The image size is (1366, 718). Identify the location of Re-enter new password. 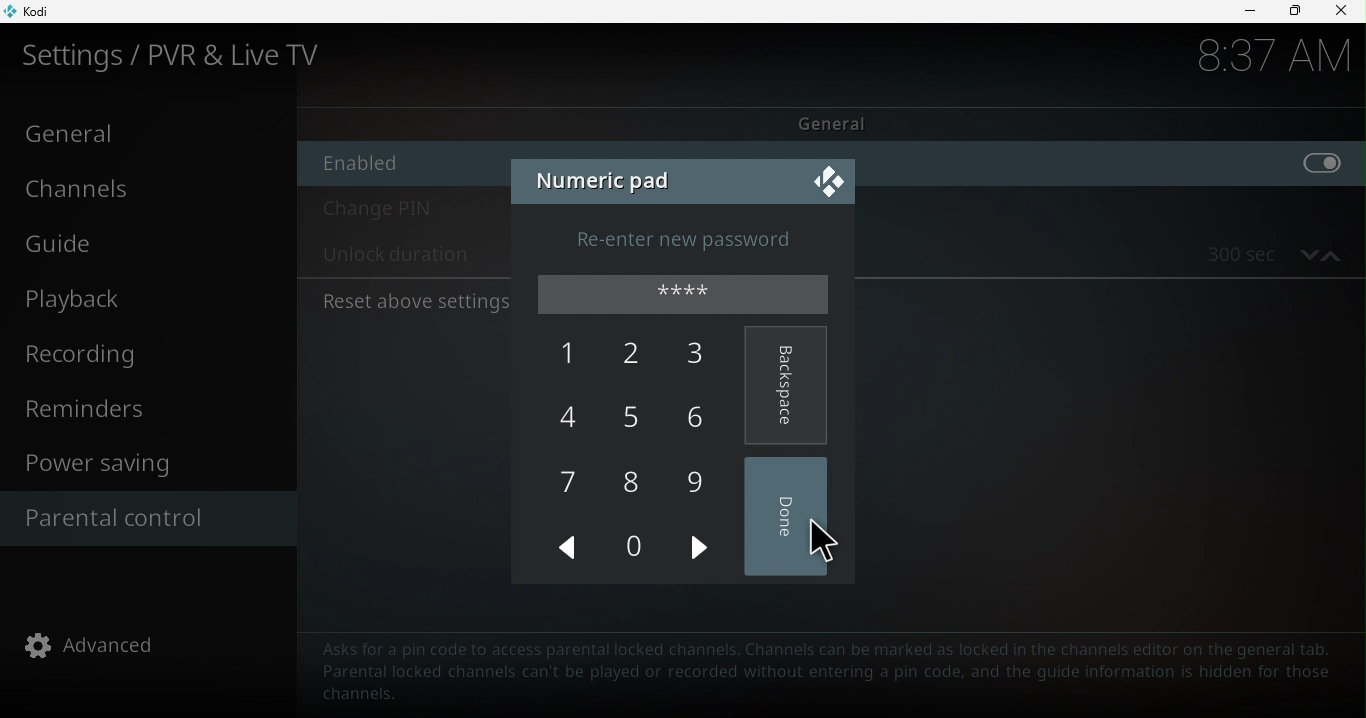
(705, 238).